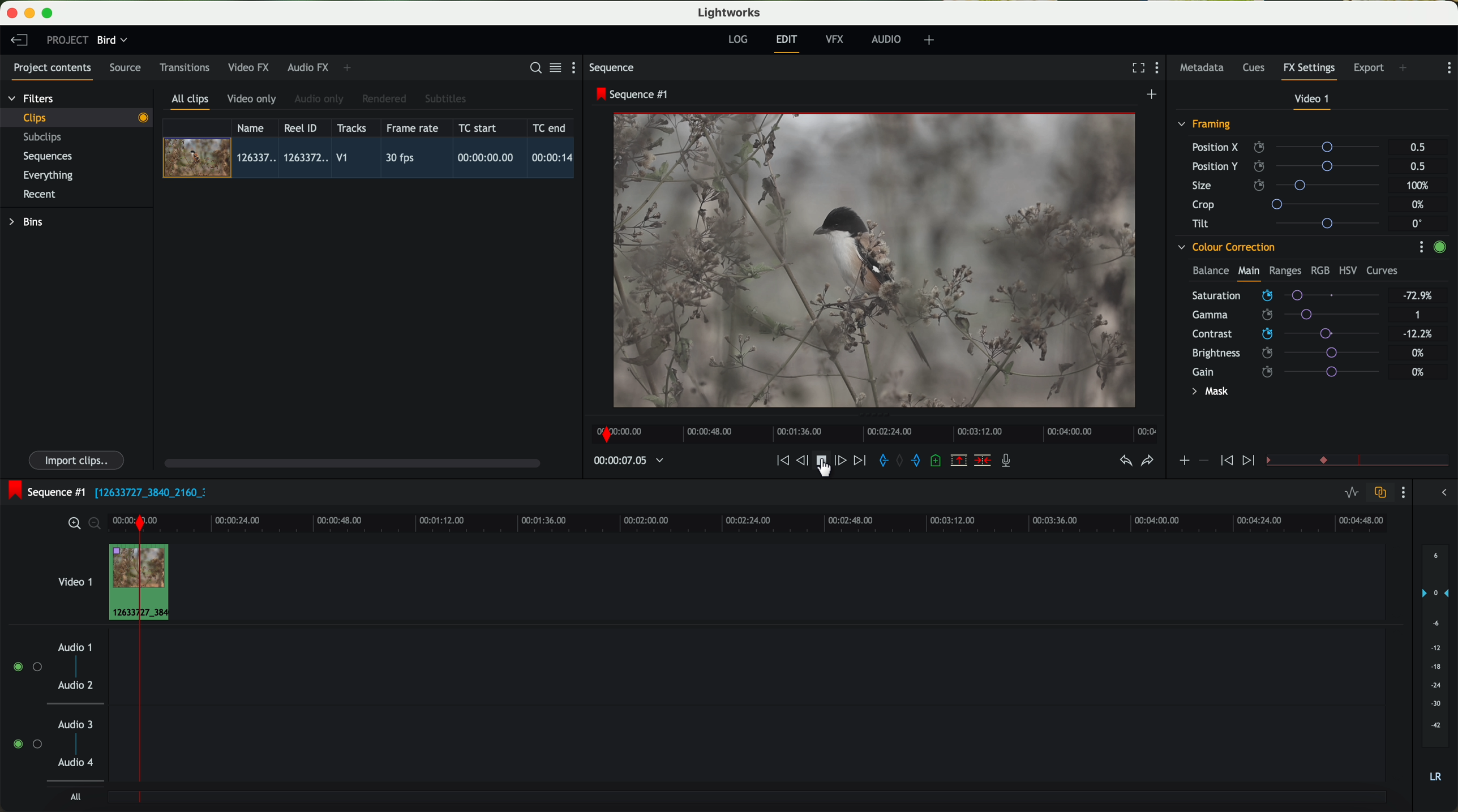 The image size is (1458, 812). I want to click on minimize program, so click(32, 14).